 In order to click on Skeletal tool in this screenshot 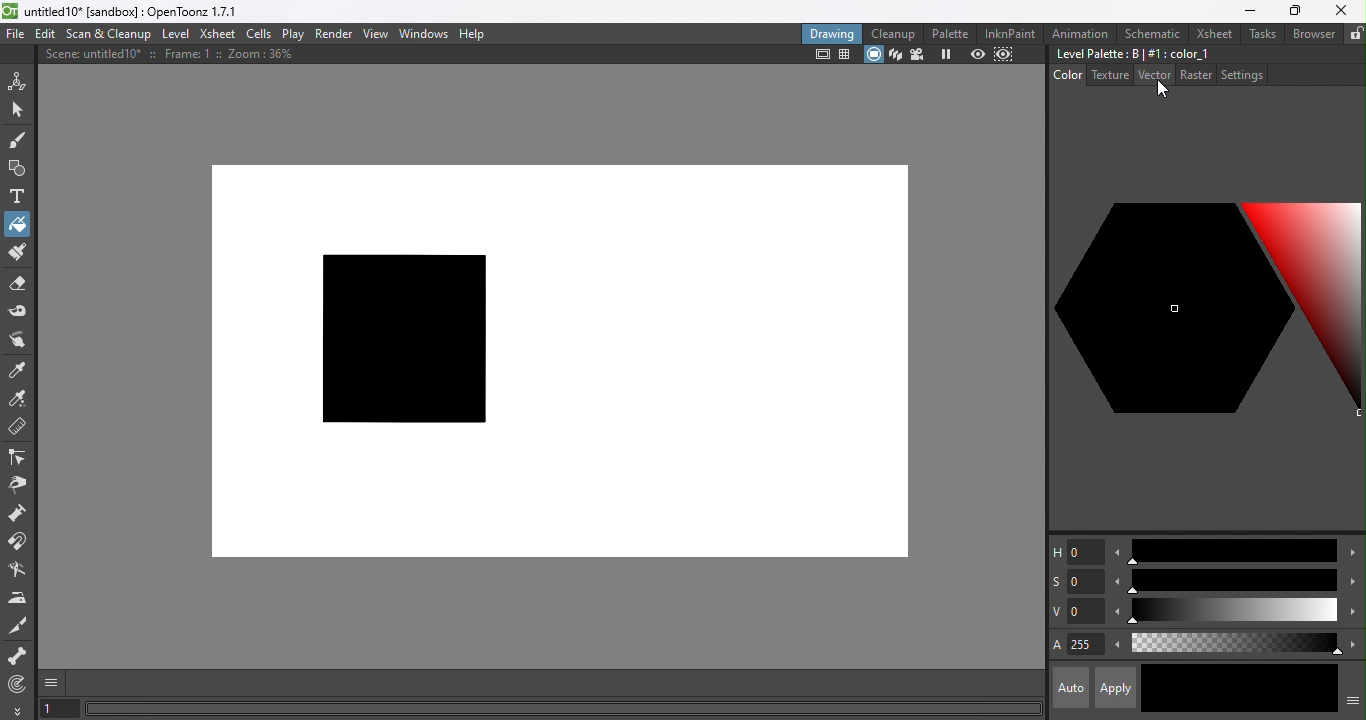, I will do `click(18, 657)`.